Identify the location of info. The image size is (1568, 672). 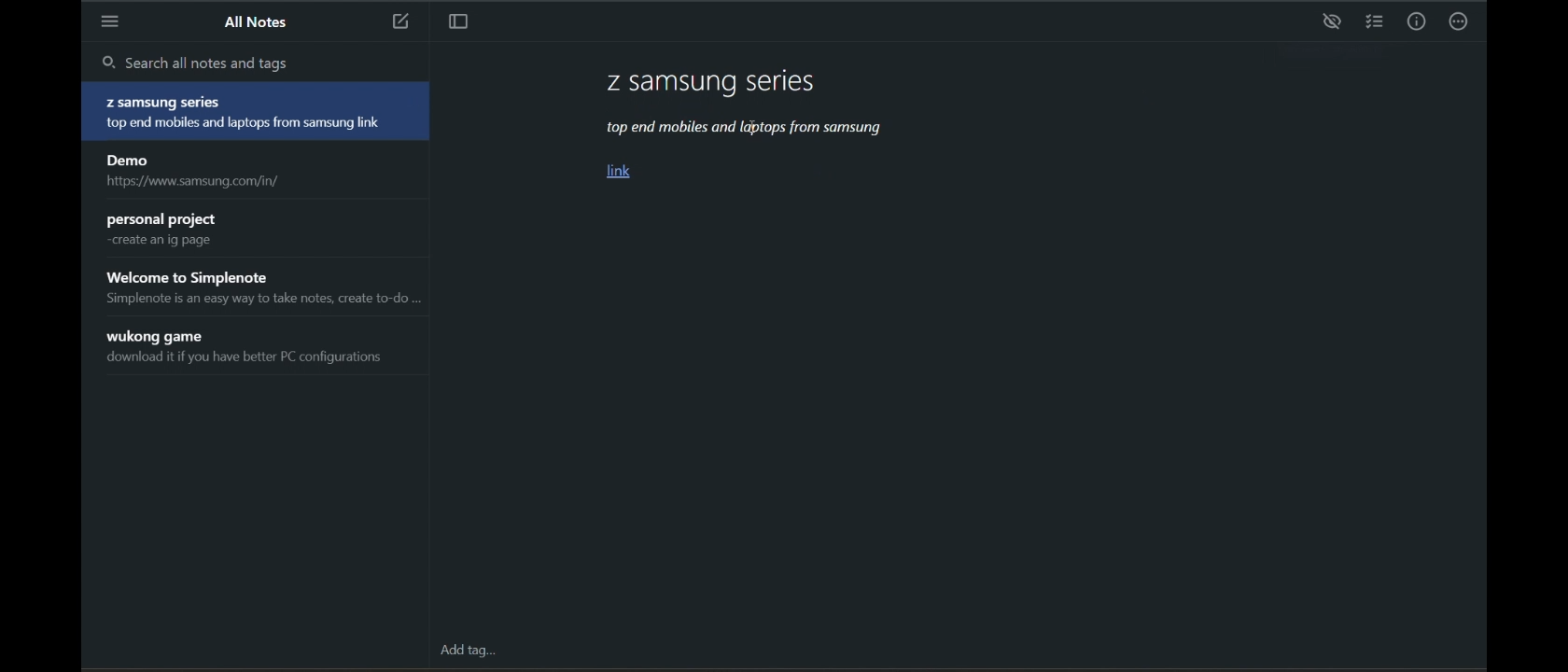
(1416, 21).